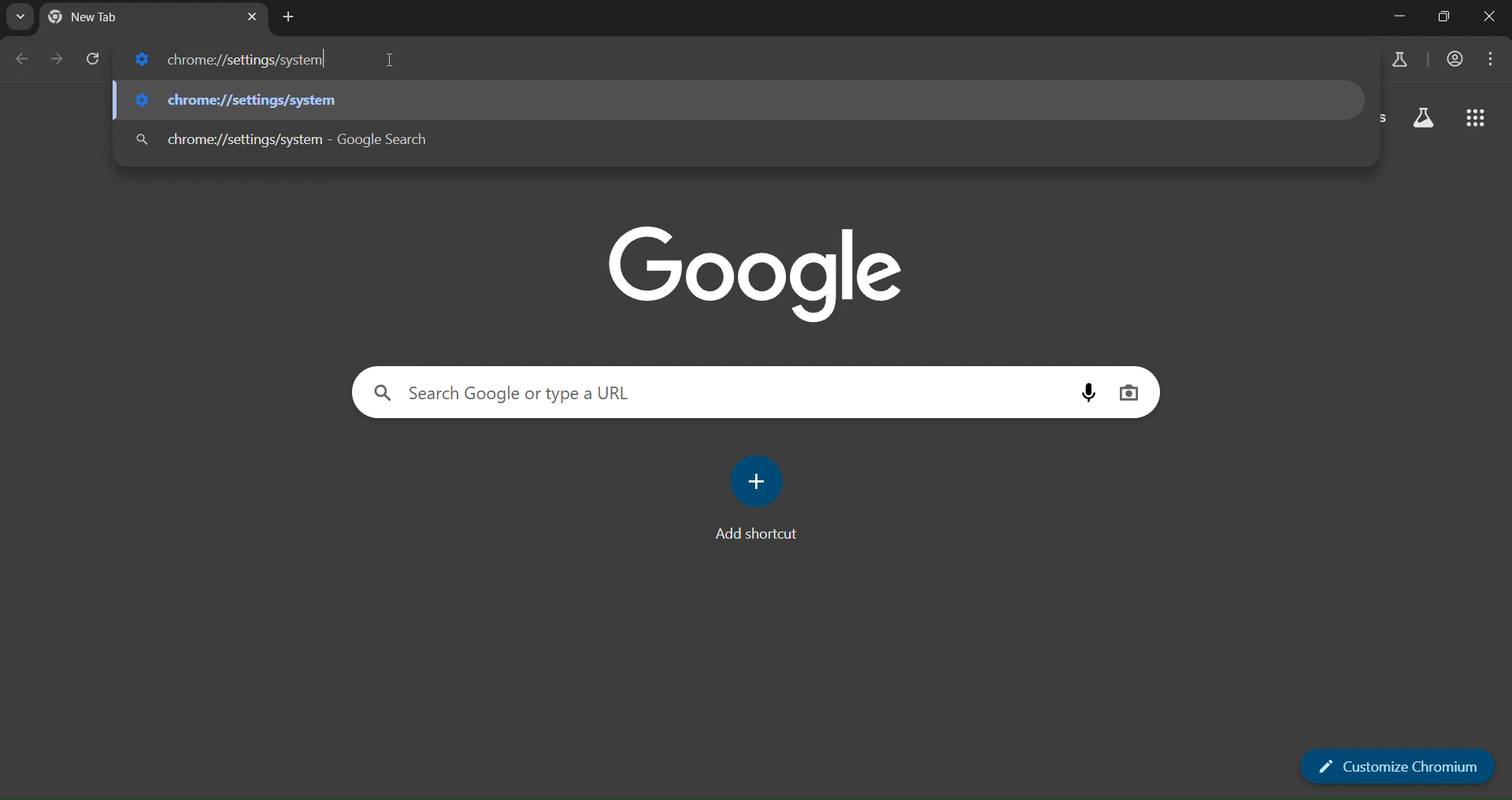  I want to click on google apps, so click(1479, 120).